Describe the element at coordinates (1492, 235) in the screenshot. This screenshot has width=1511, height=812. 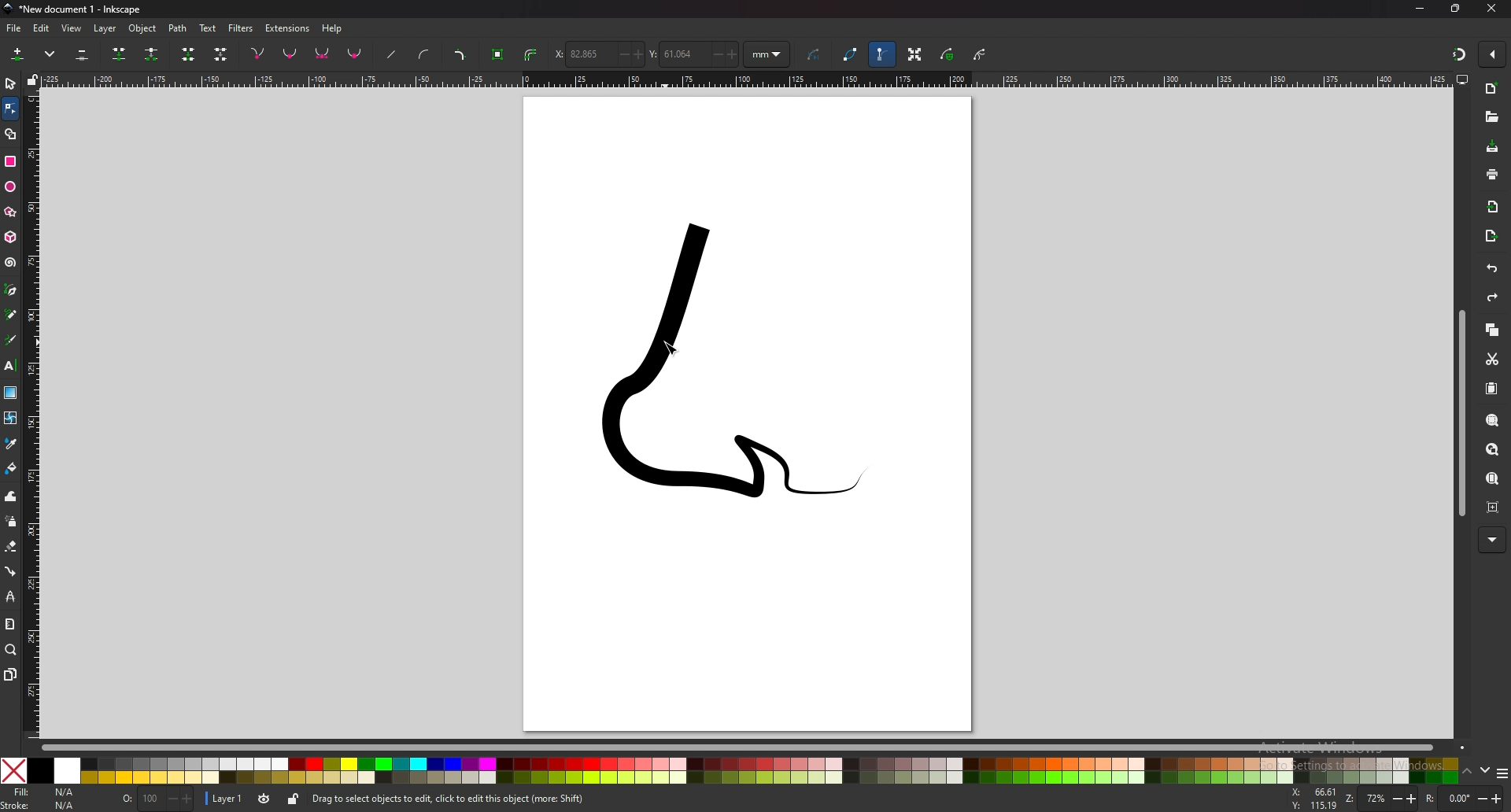
I see `export` at that location.